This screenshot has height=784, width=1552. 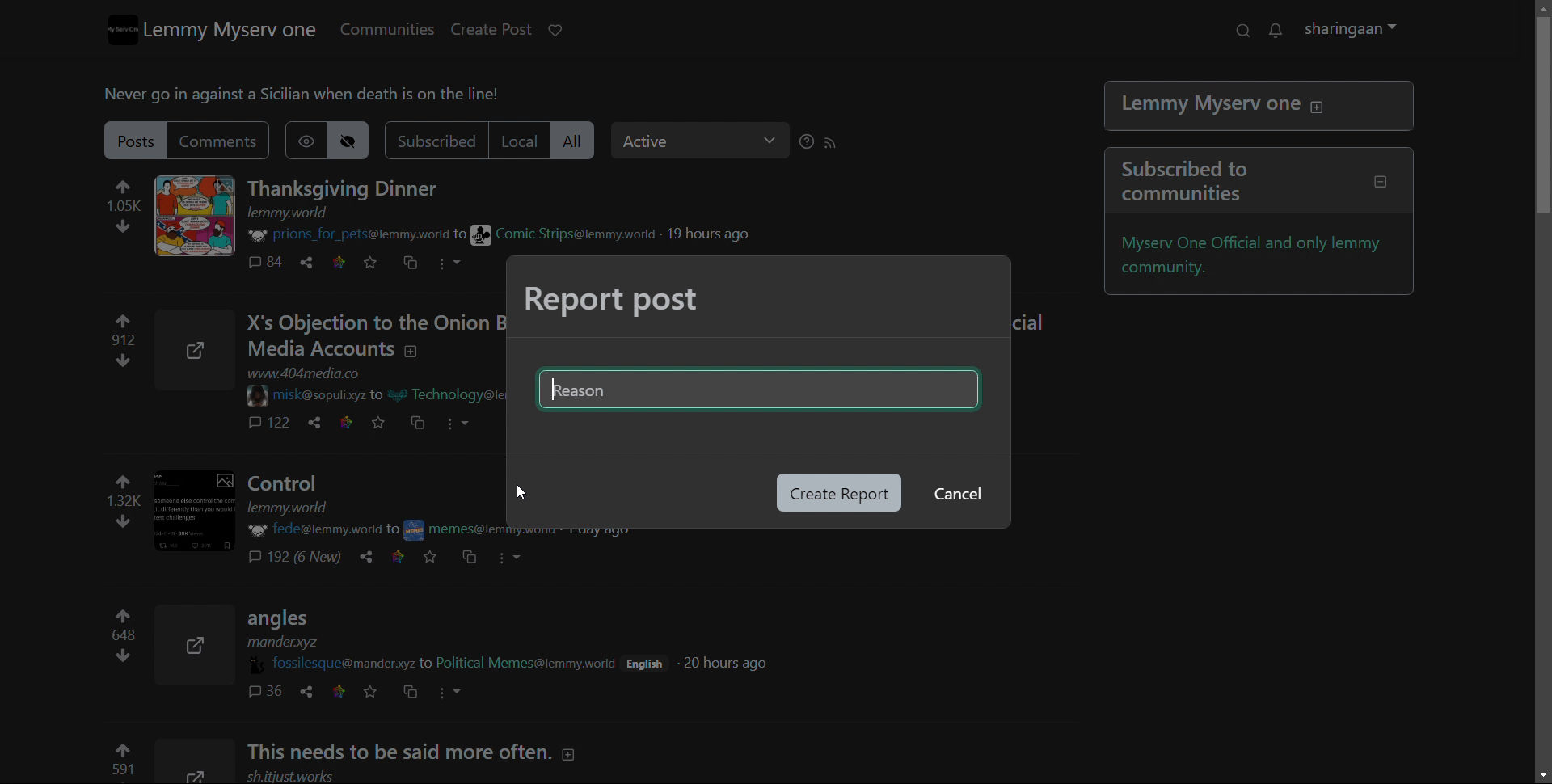 I want to click on share, so click(x=310, y=691).